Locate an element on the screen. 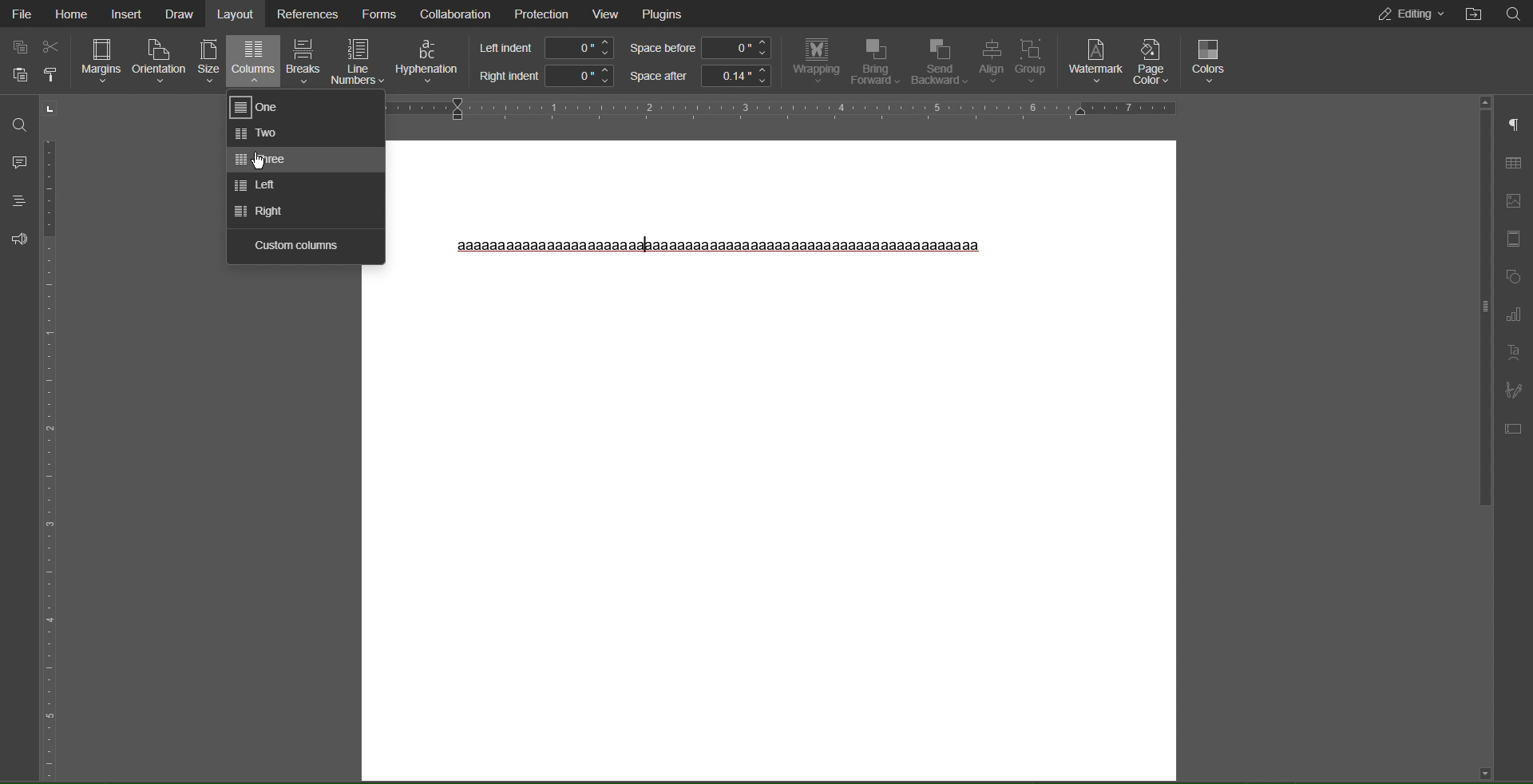 This screenshot has height=784, width=1533. Horizontal Ruler is located at coordinates (786, 108).